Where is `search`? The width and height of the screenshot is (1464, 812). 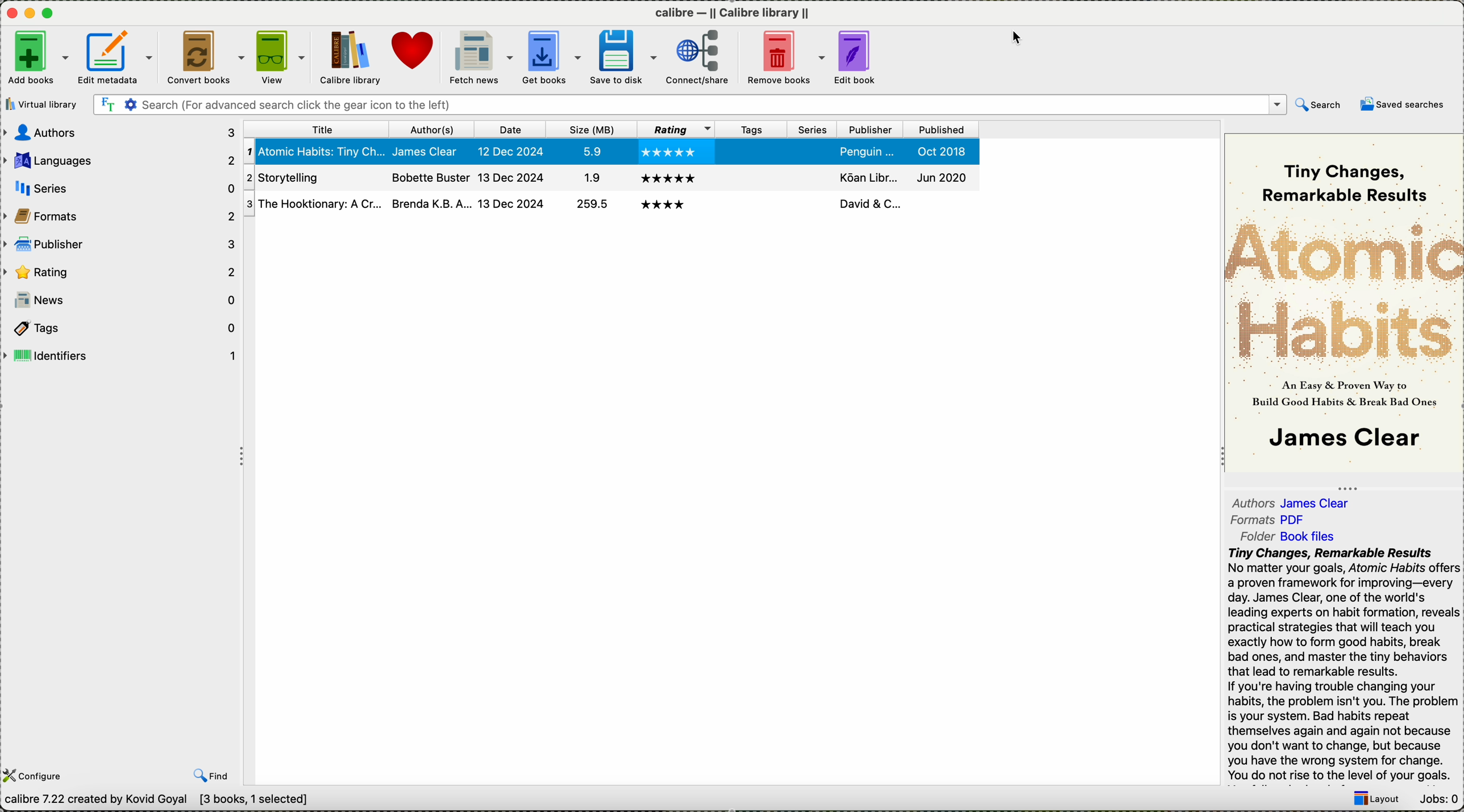
search is located at coordinates (1321, 105).